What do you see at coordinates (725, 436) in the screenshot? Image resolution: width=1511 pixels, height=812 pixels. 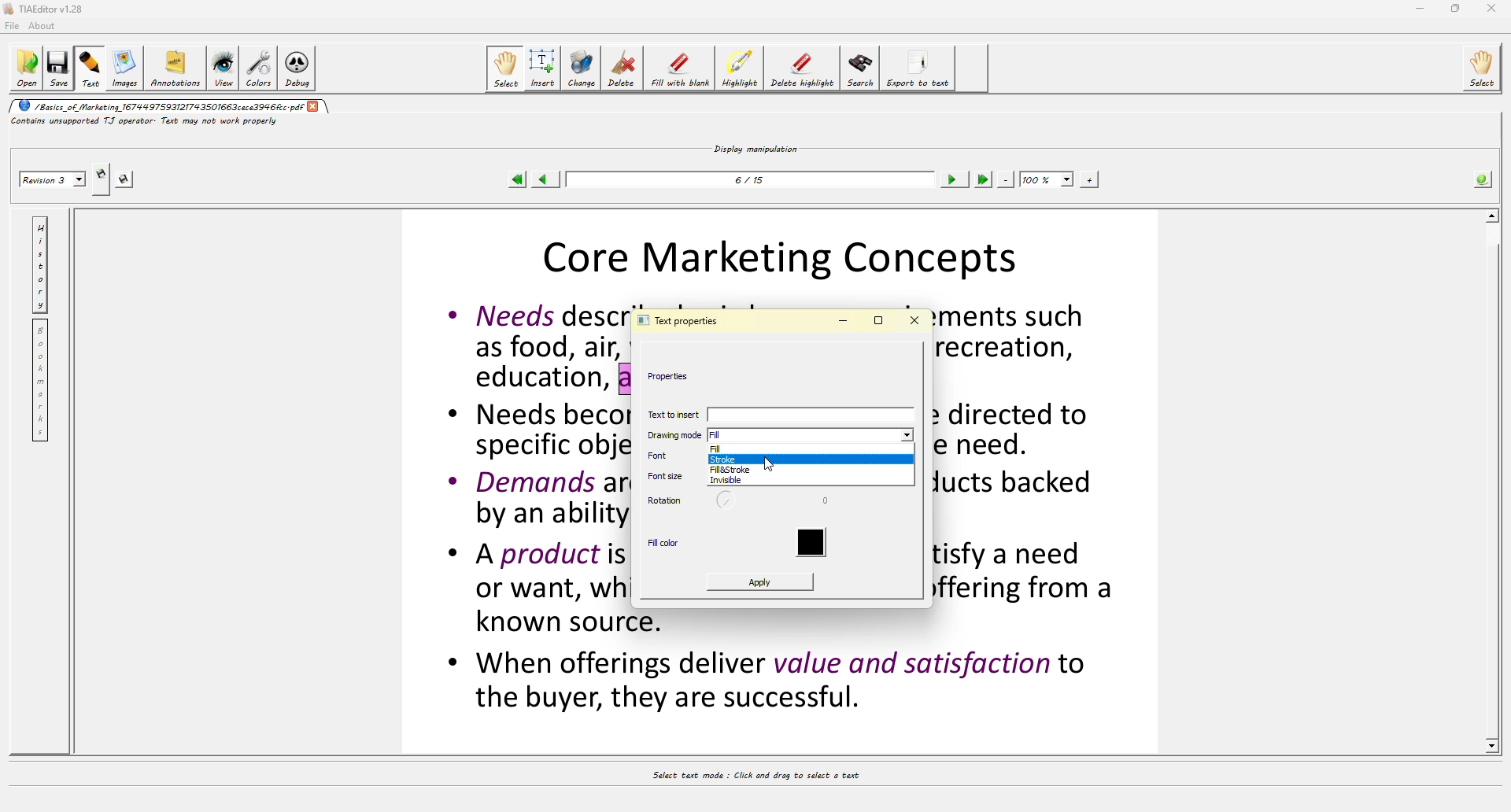 I see `fill` at bounding box center [725, 436].